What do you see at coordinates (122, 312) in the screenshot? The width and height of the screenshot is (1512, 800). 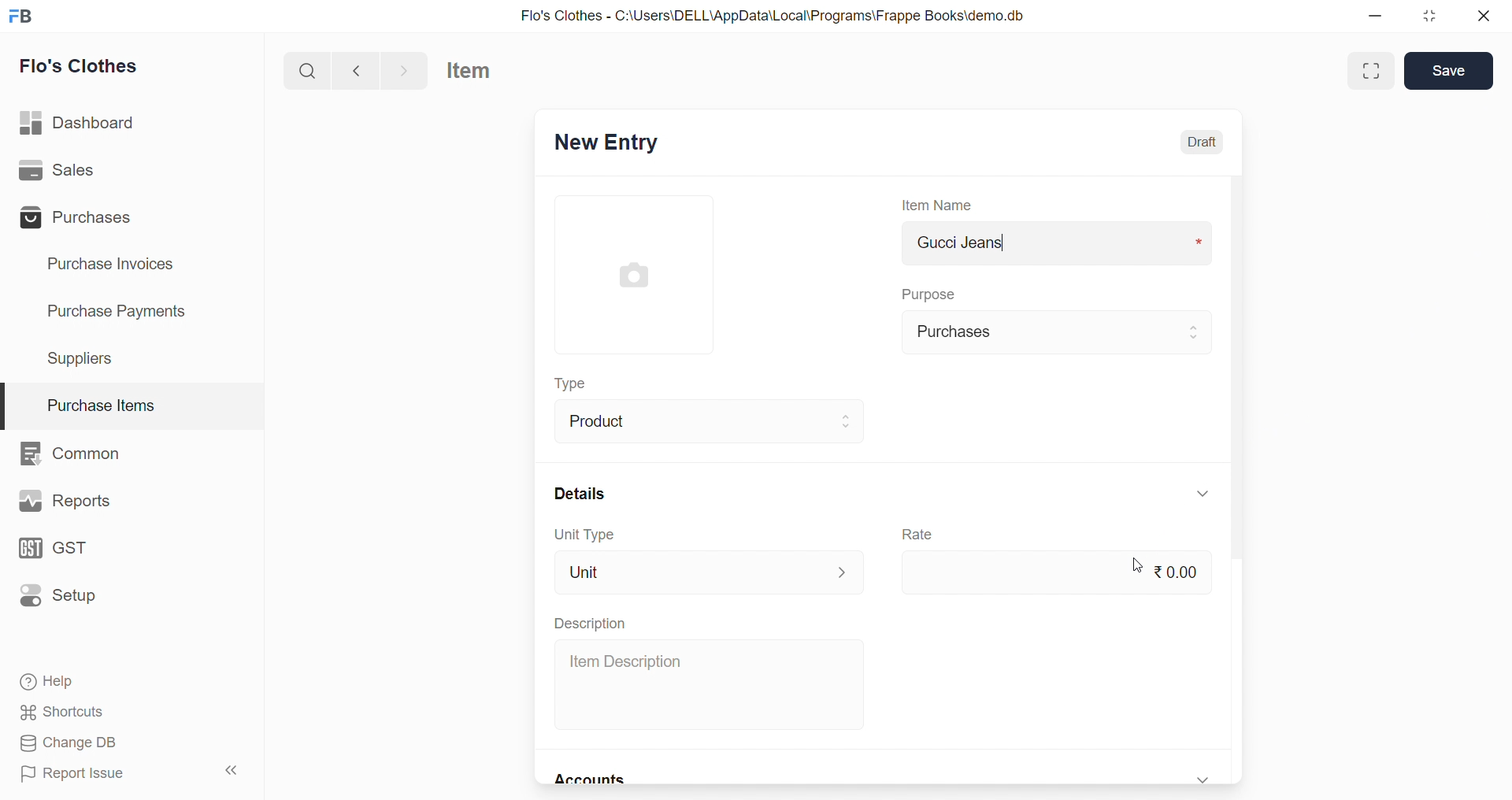 I see `Purchase Payments` at bounding box center [122, 312].